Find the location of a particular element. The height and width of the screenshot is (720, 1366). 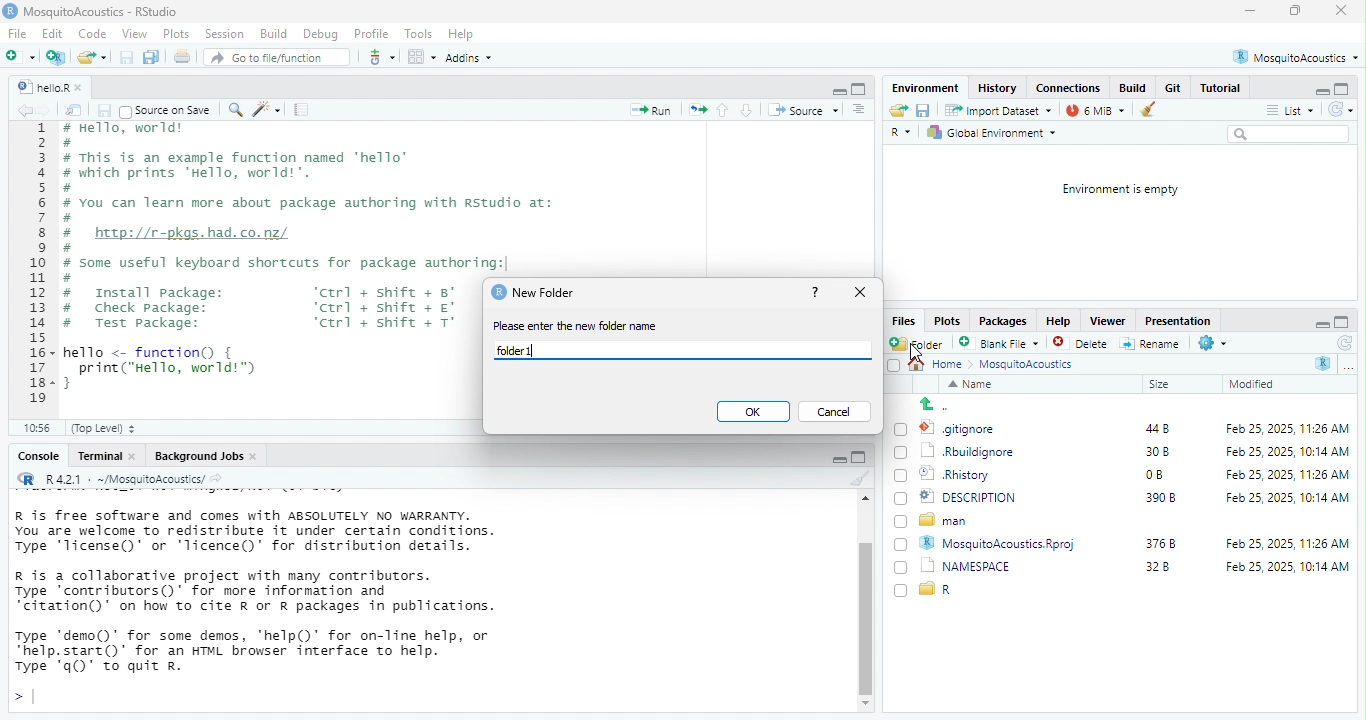

r studio logo is located at coordinates (25, 479).